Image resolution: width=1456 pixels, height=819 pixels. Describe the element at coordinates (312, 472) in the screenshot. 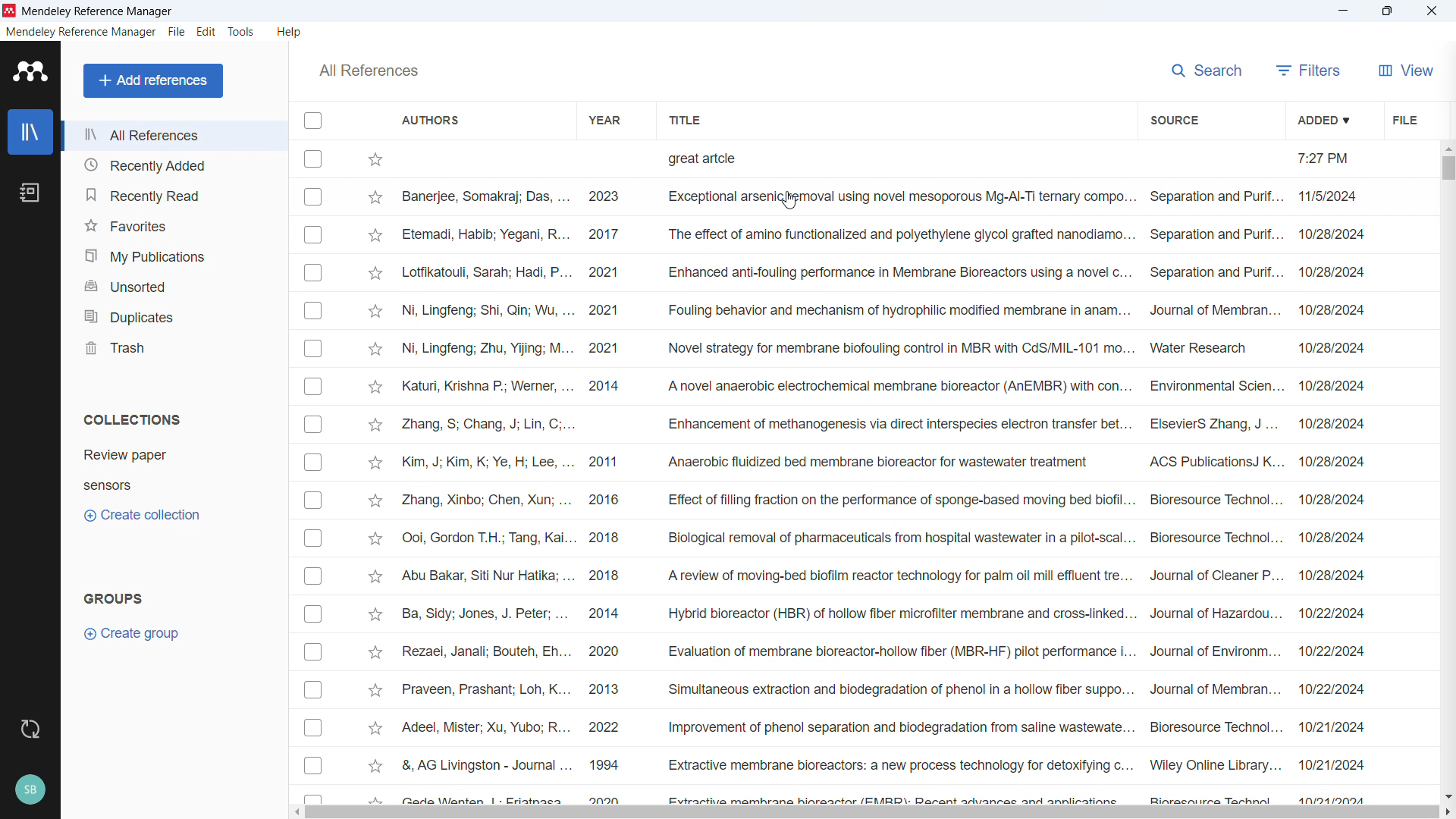

I see `Select individual entries ` at that location.